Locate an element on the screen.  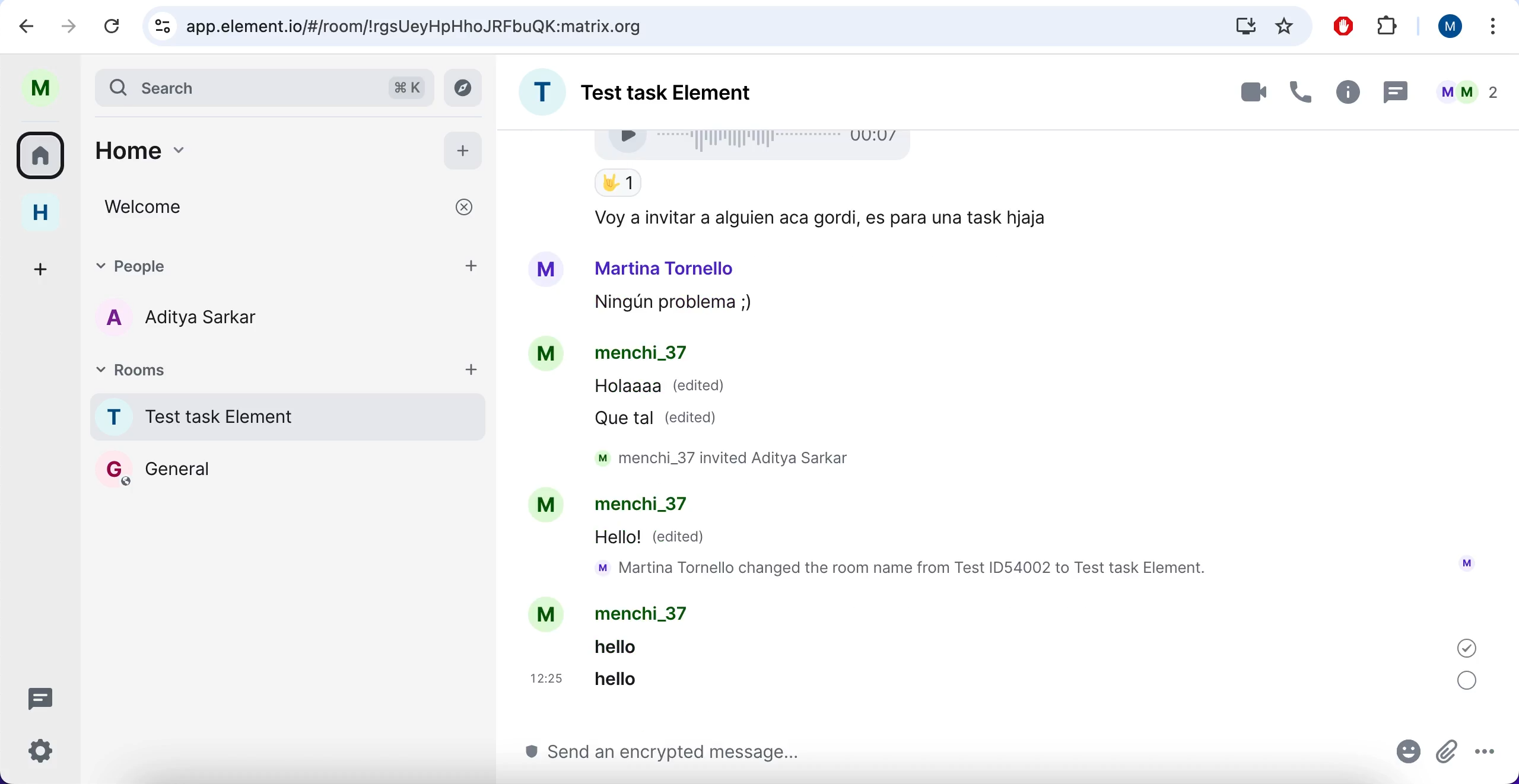
M menchi_3/ Invited Aditya Sarkar is located at coordinates (722, 457).